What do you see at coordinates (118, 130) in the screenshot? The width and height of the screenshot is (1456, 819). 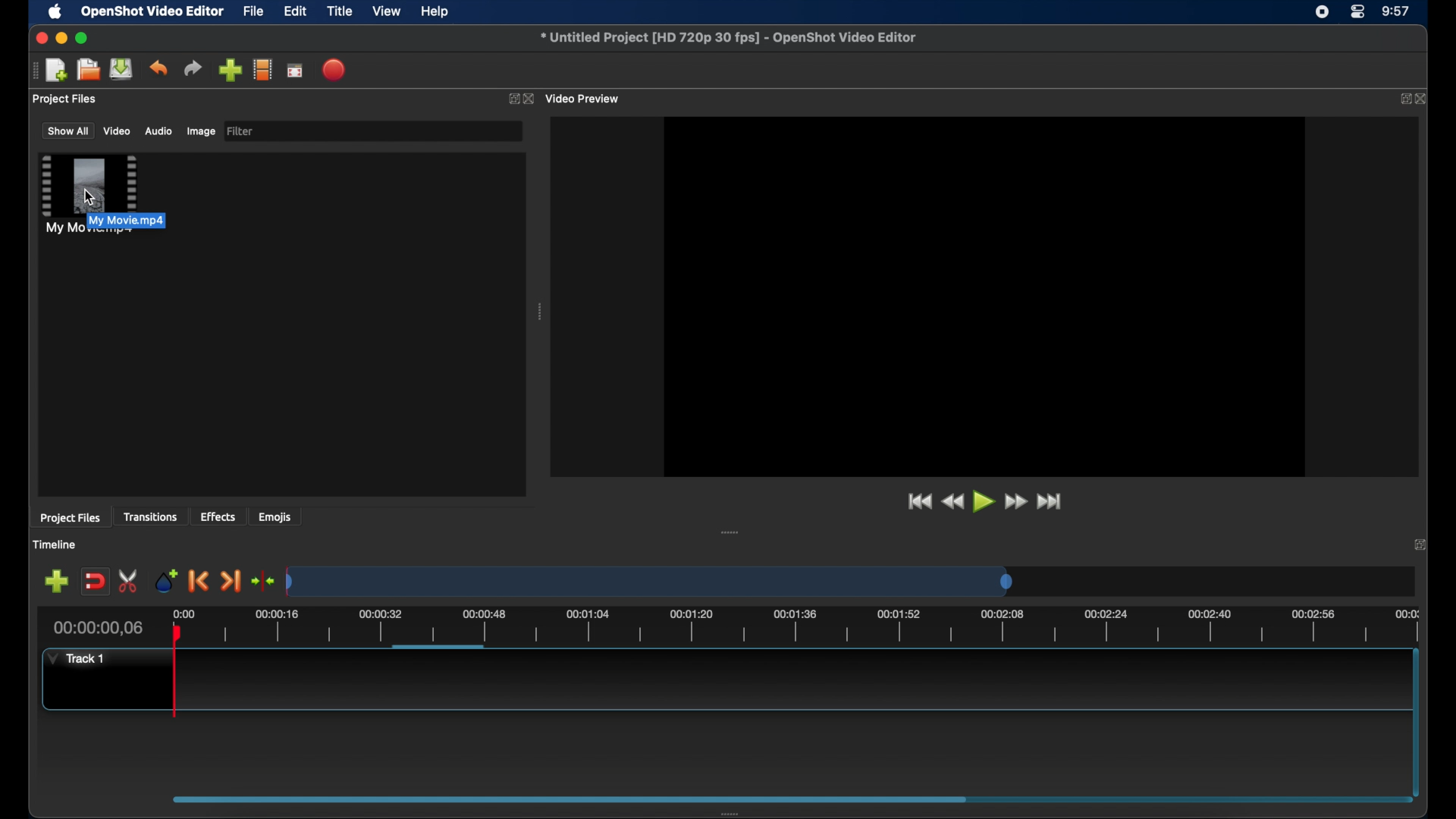 I see `video` at bounding box center [118, 130].